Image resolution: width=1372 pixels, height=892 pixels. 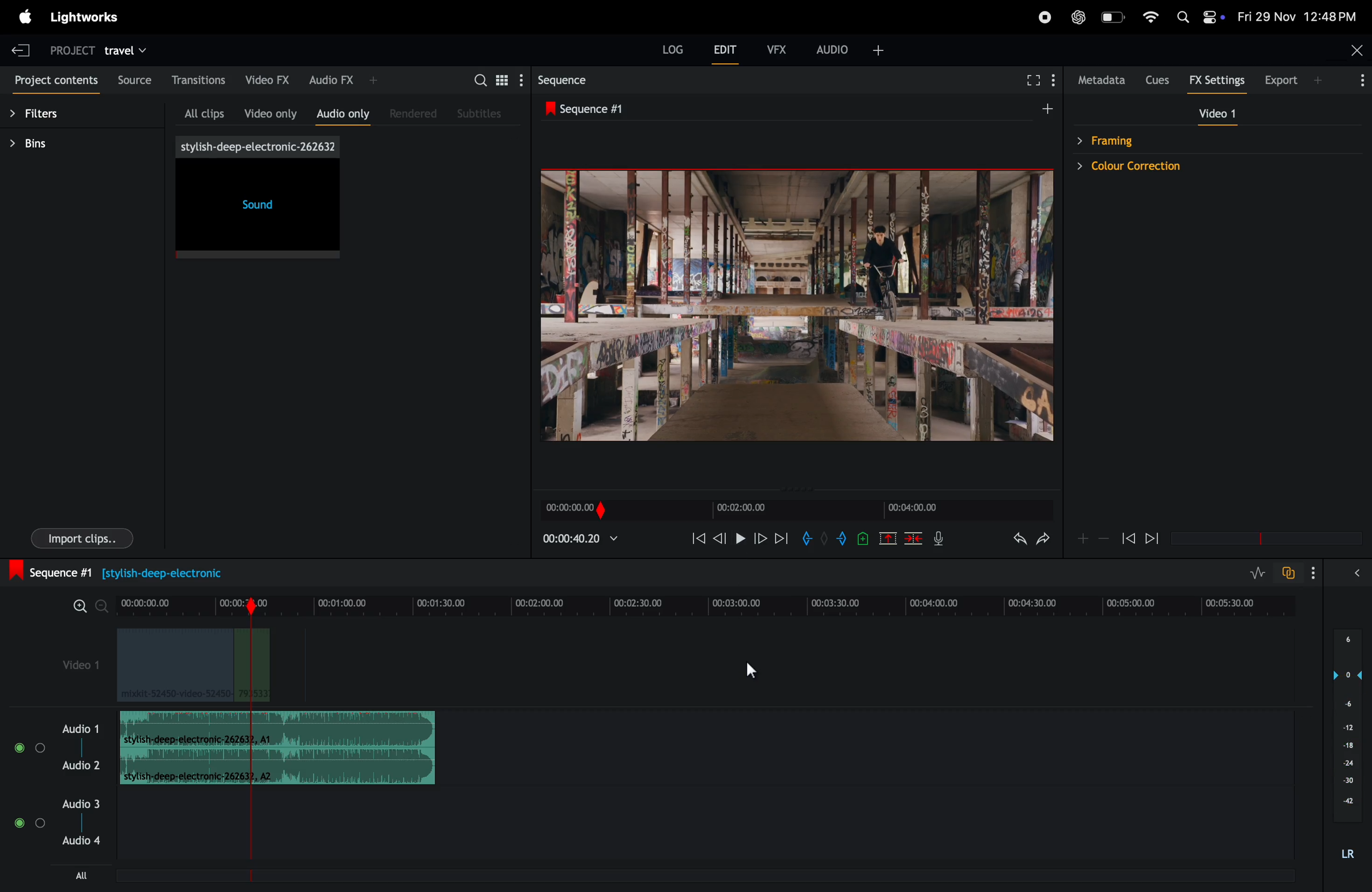 I want to click on pause play, so click(x=740, y=539).